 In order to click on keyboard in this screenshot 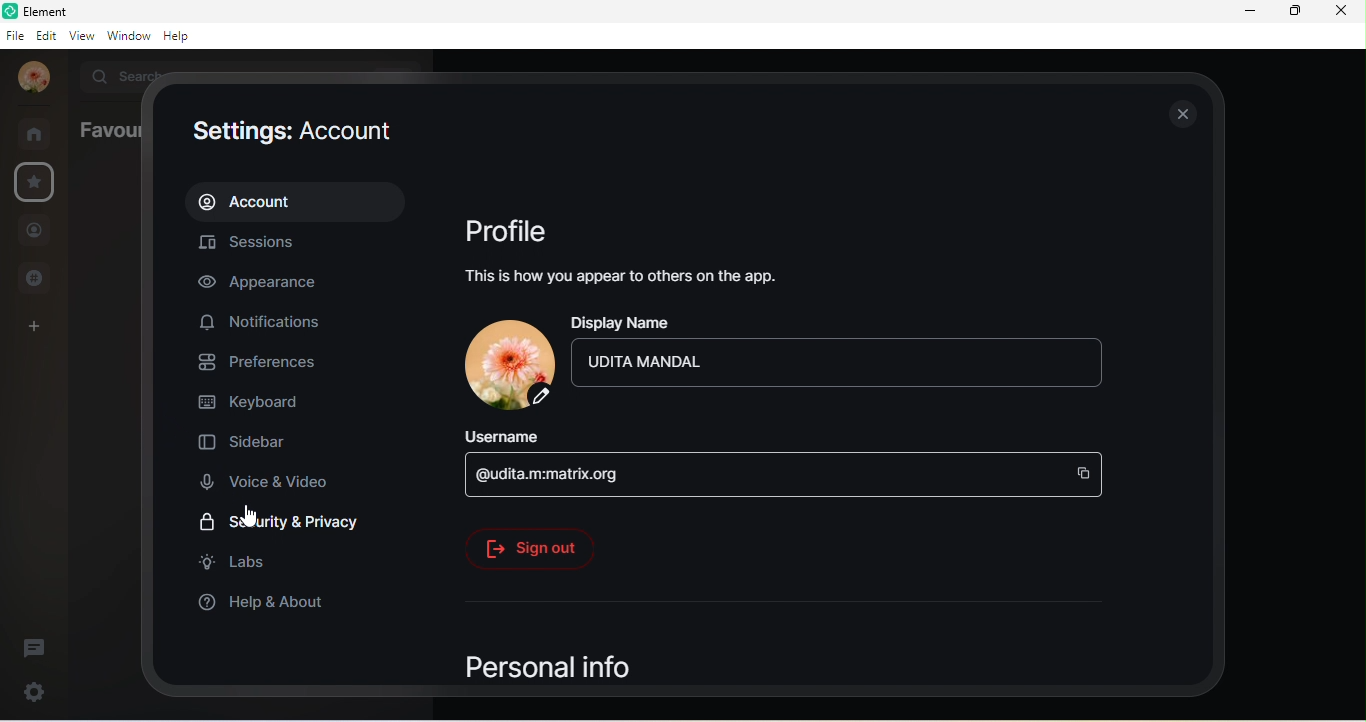, I will do `click(255, 399)`.